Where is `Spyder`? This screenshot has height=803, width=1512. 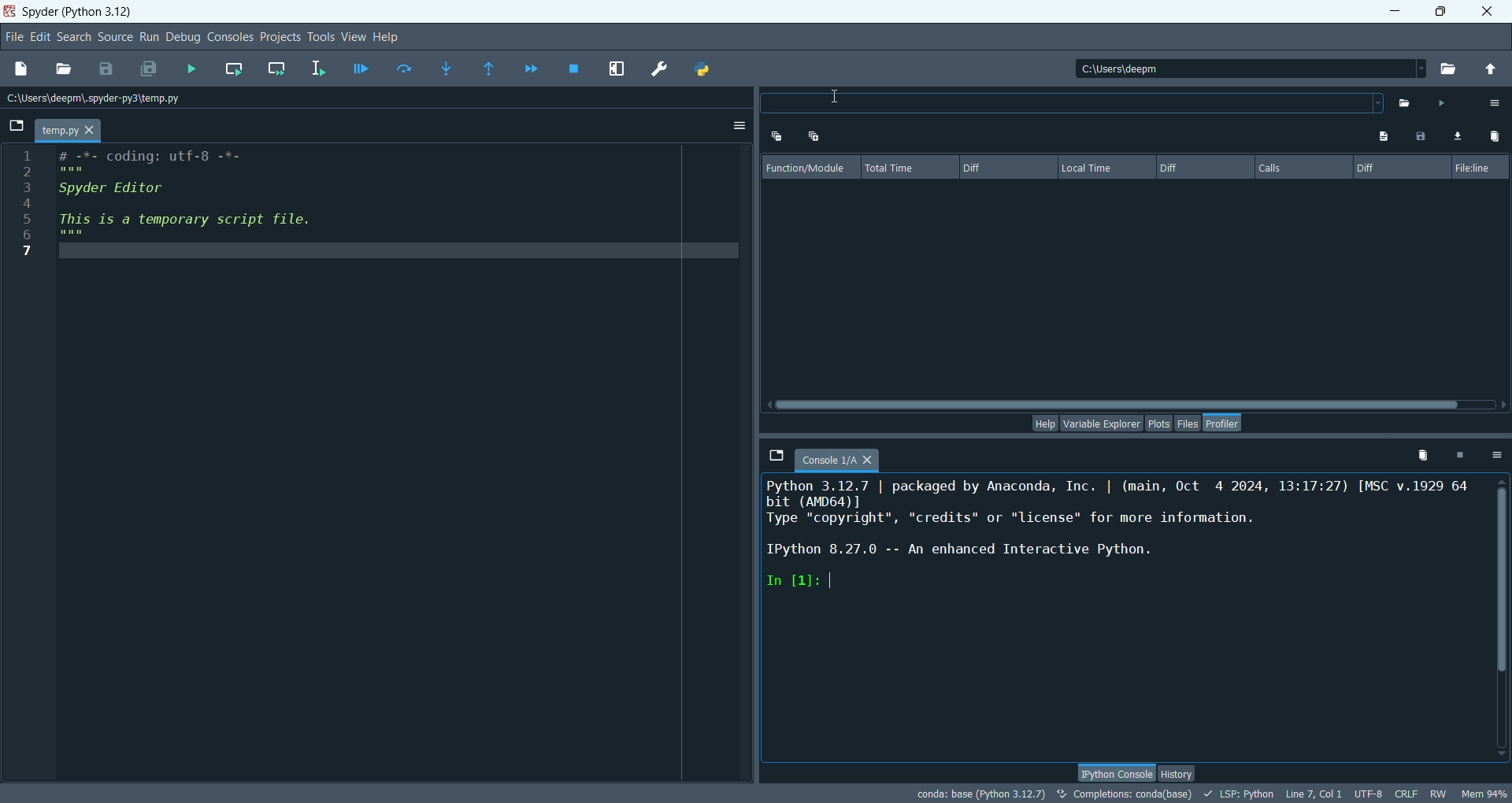 Spyder is located at coordinates (81, 13).